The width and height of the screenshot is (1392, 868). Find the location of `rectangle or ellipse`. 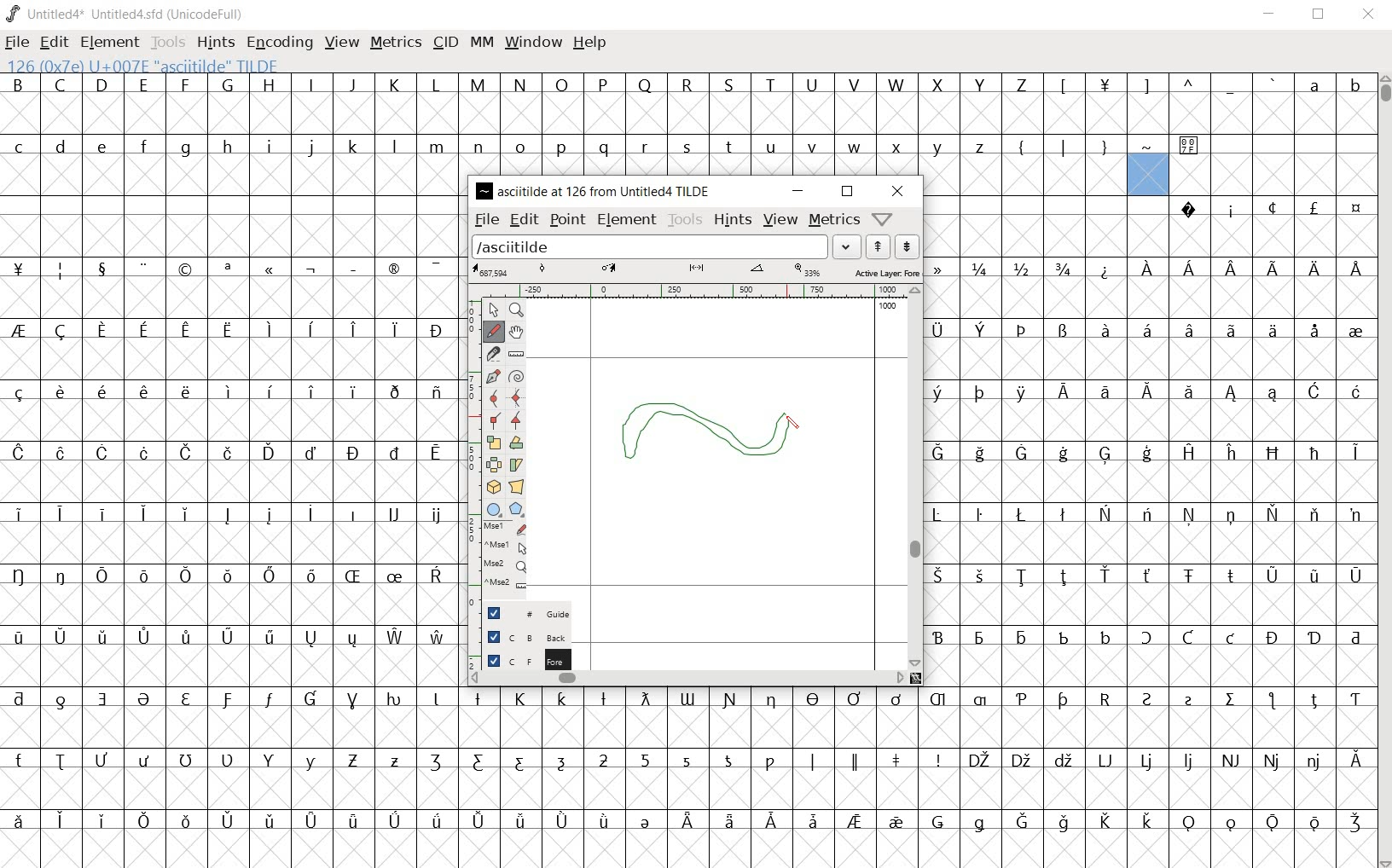

rectangle or ellipse is located at coordinates (493, 510).